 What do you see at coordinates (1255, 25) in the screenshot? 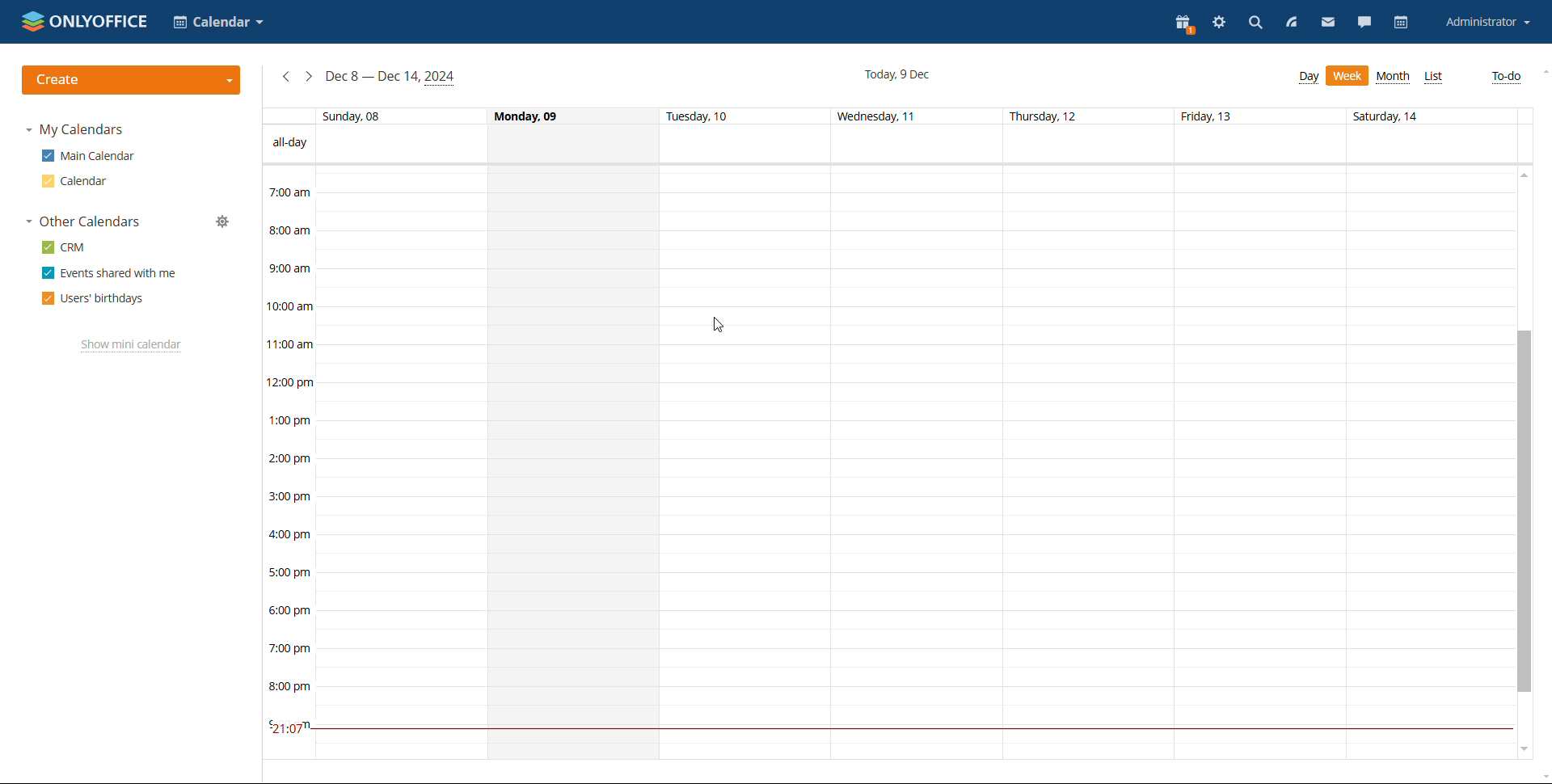
I see `search` at bounding box center [1255, 25].